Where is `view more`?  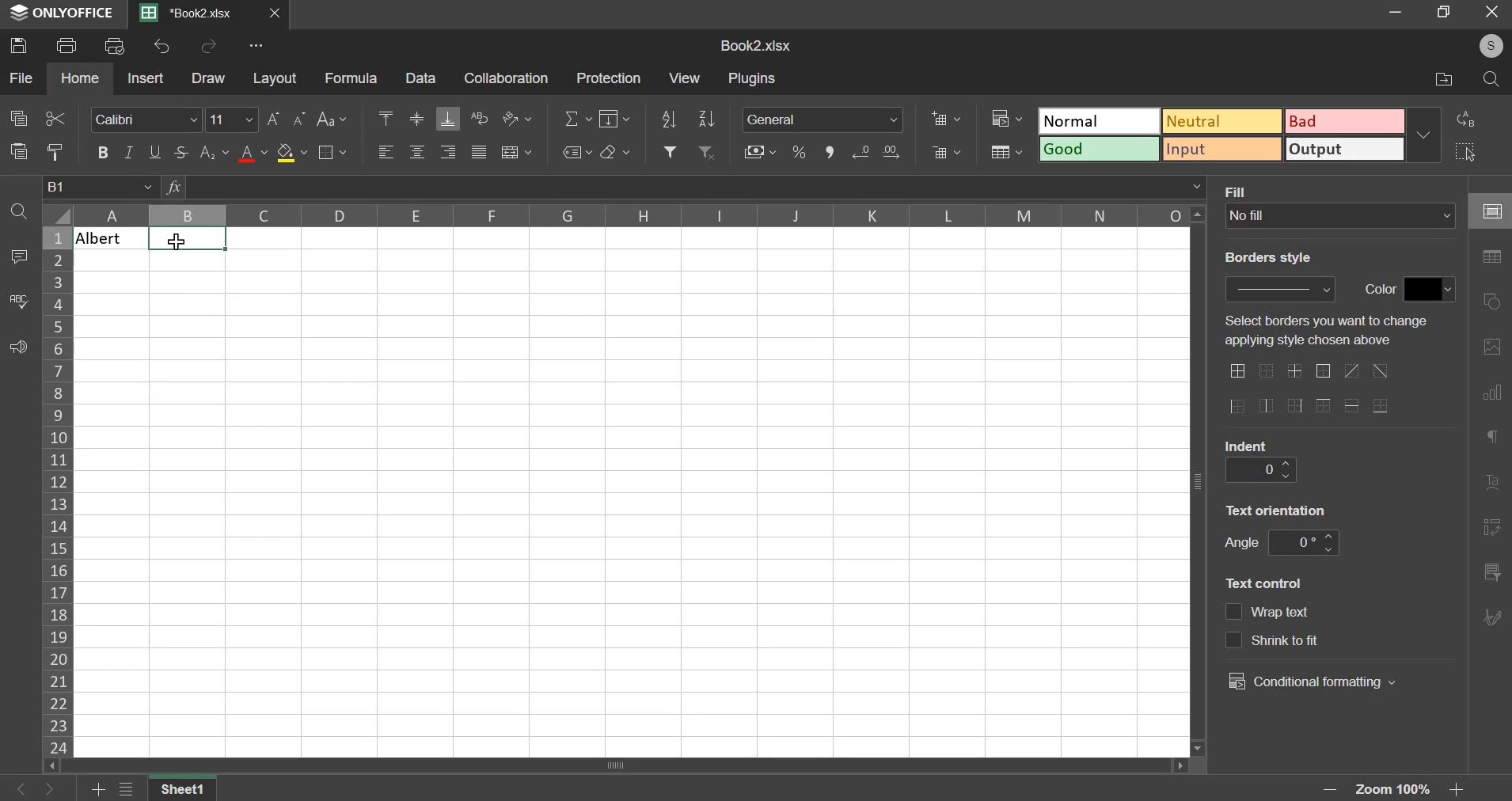
view more is located at coordinates (257, 45).